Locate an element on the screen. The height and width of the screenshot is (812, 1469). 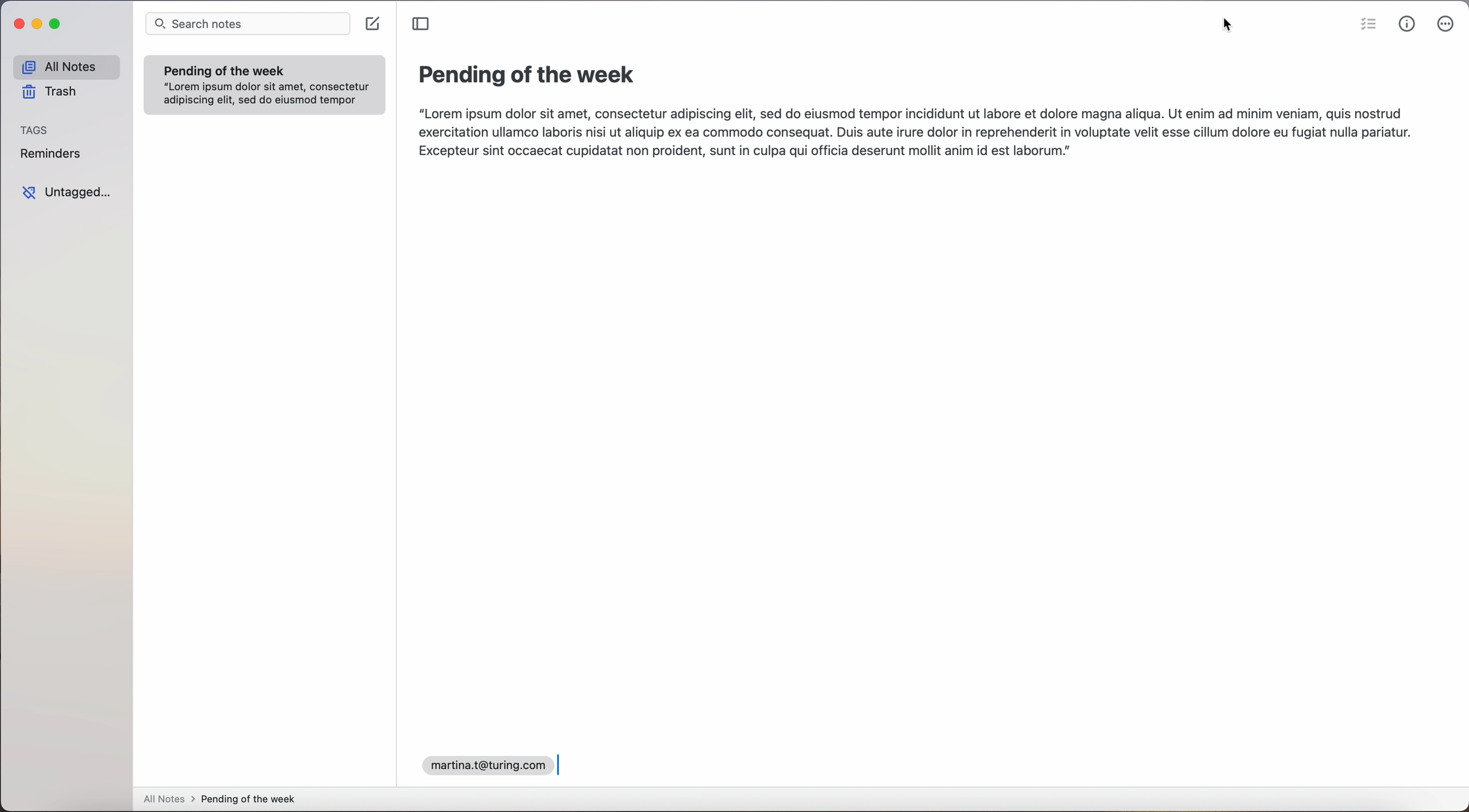
toggle sidebar is located at coordinates (421, 25).